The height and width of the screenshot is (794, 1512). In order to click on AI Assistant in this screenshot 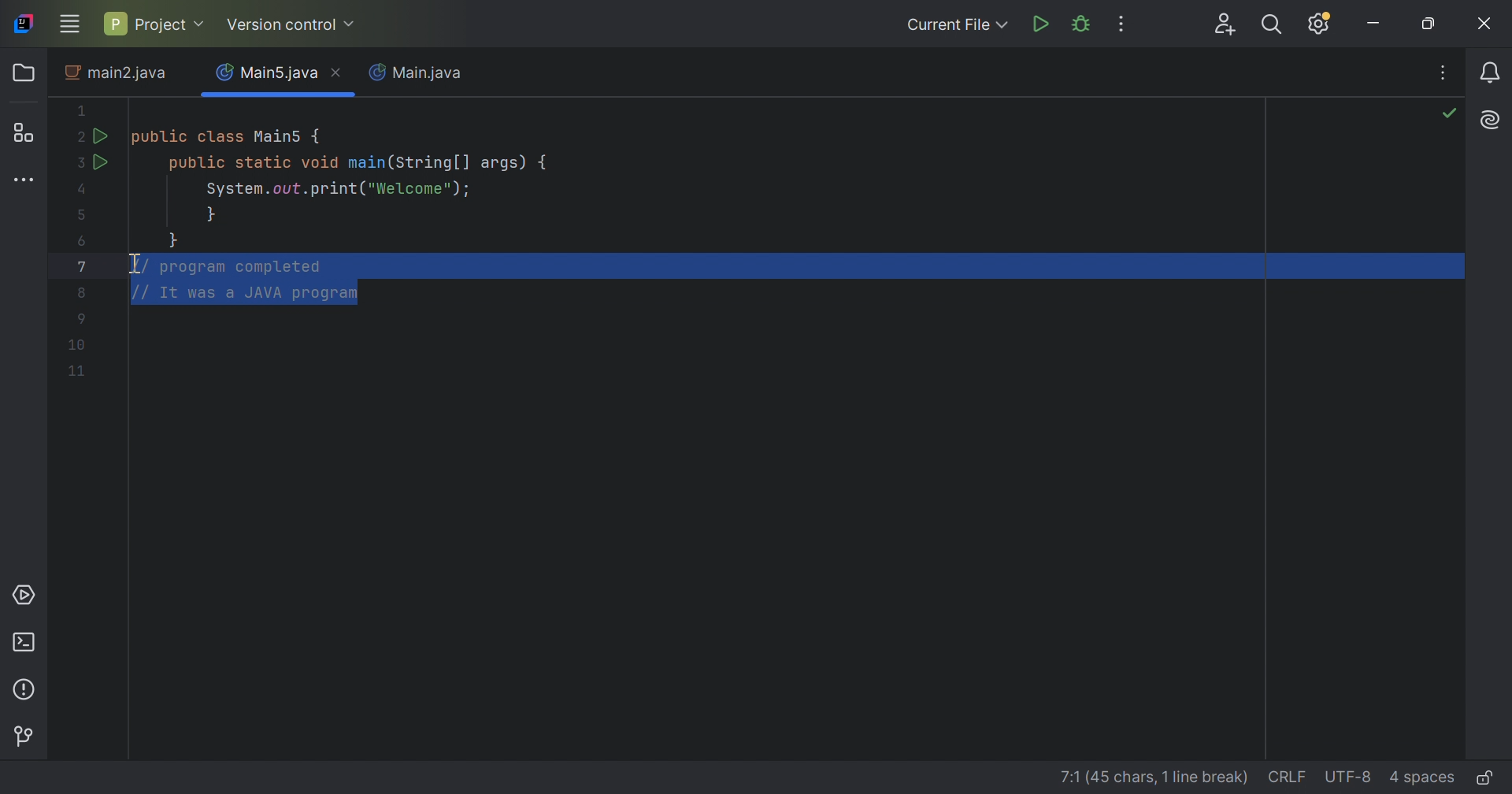, I will do `click(1492, 121)`.